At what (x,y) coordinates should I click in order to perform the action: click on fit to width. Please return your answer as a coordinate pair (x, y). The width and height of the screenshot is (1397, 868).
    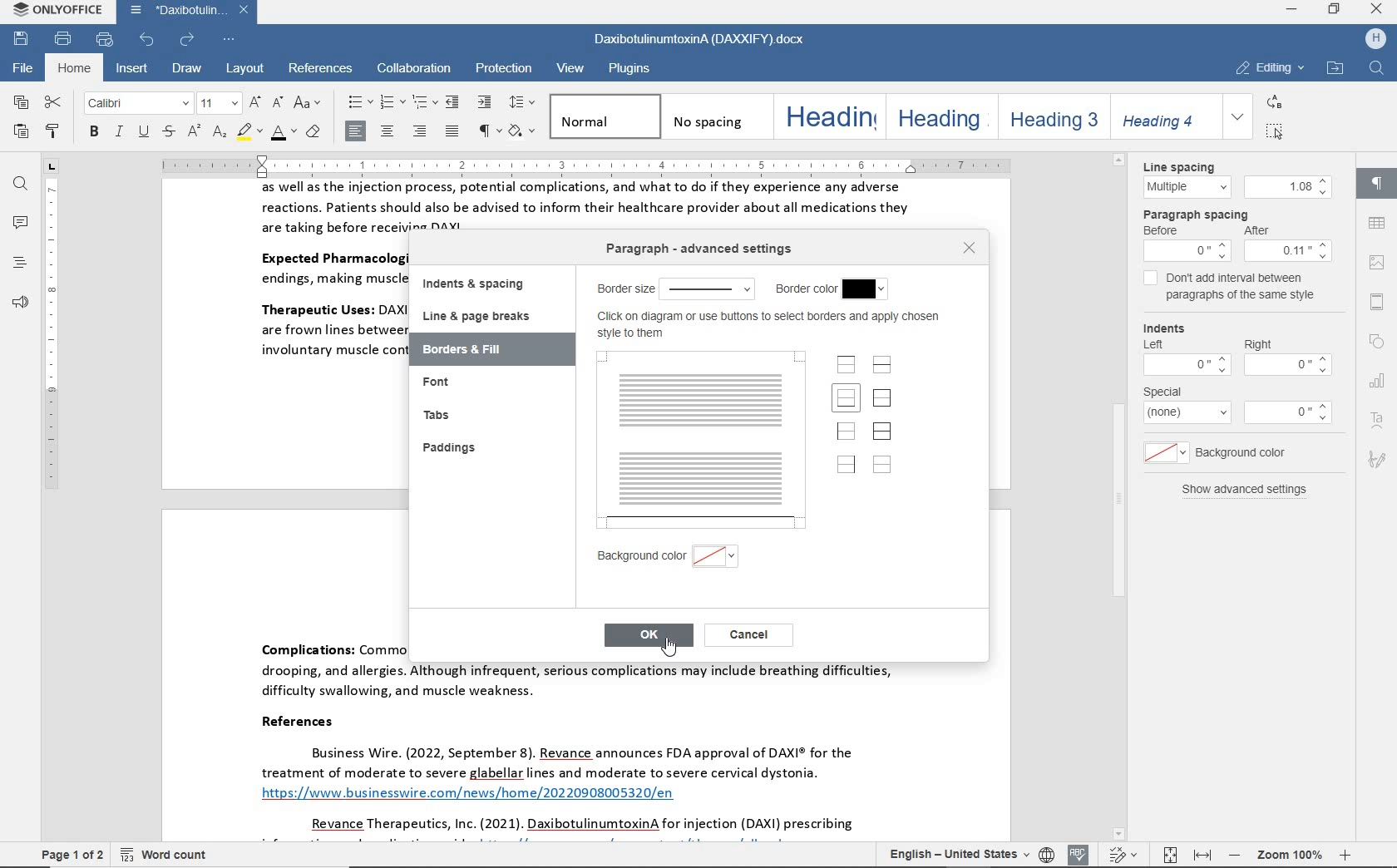
    Looking at the image, I should click on (1201, 856).